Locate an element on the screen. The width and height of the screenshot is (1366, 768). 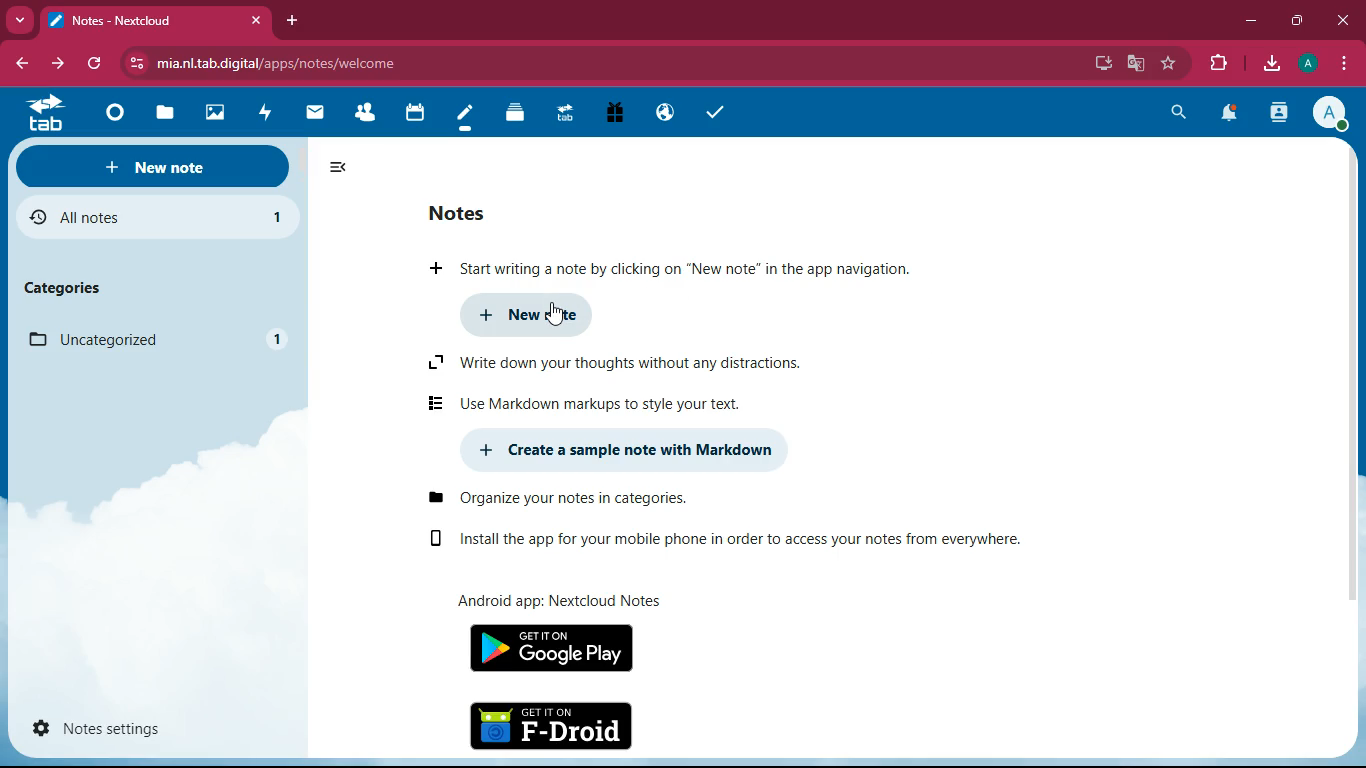
new note is located at coordinates (154, 165).